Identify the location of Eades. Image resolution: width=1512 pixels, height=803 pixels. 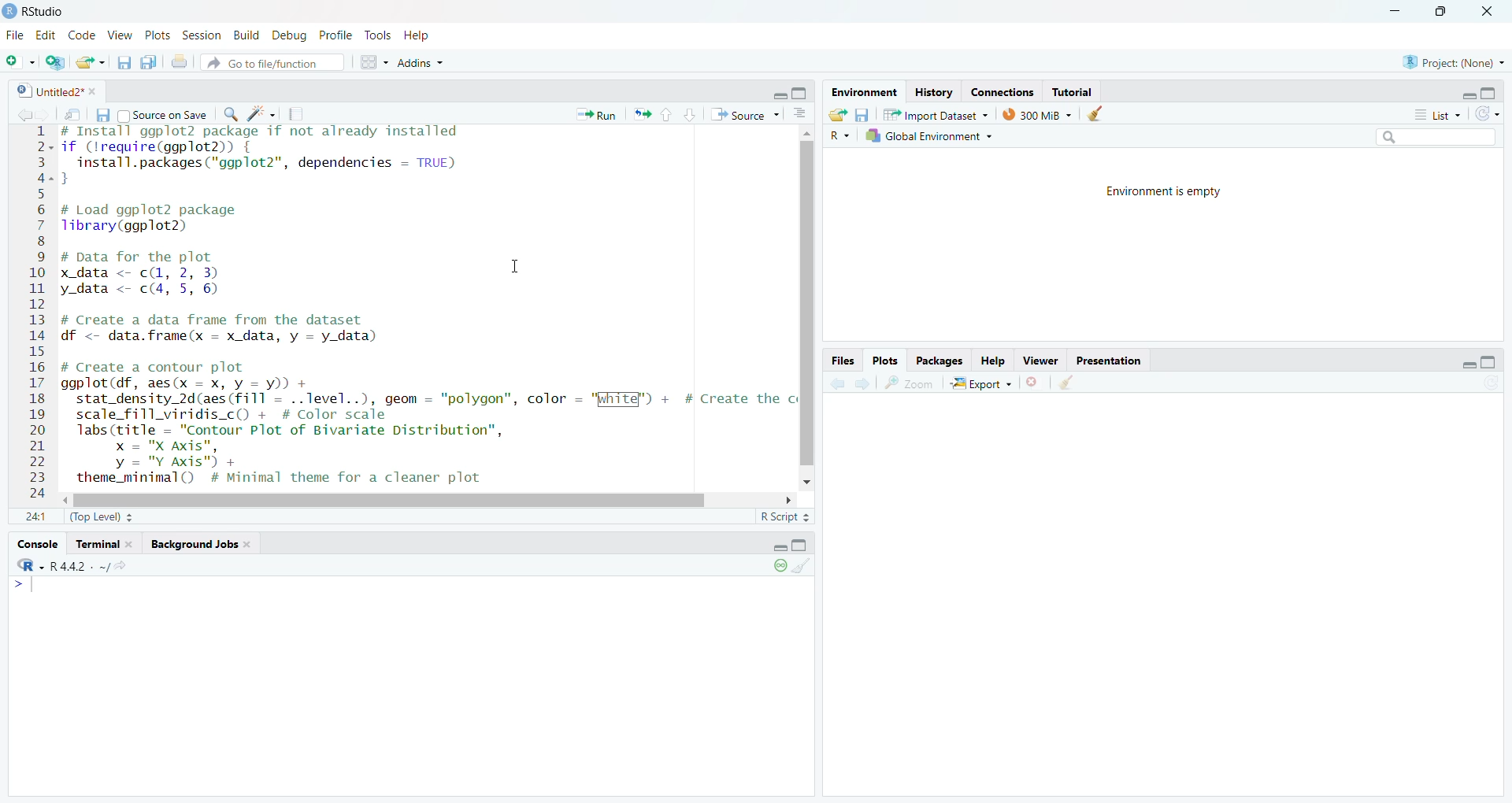
(1003, 89).